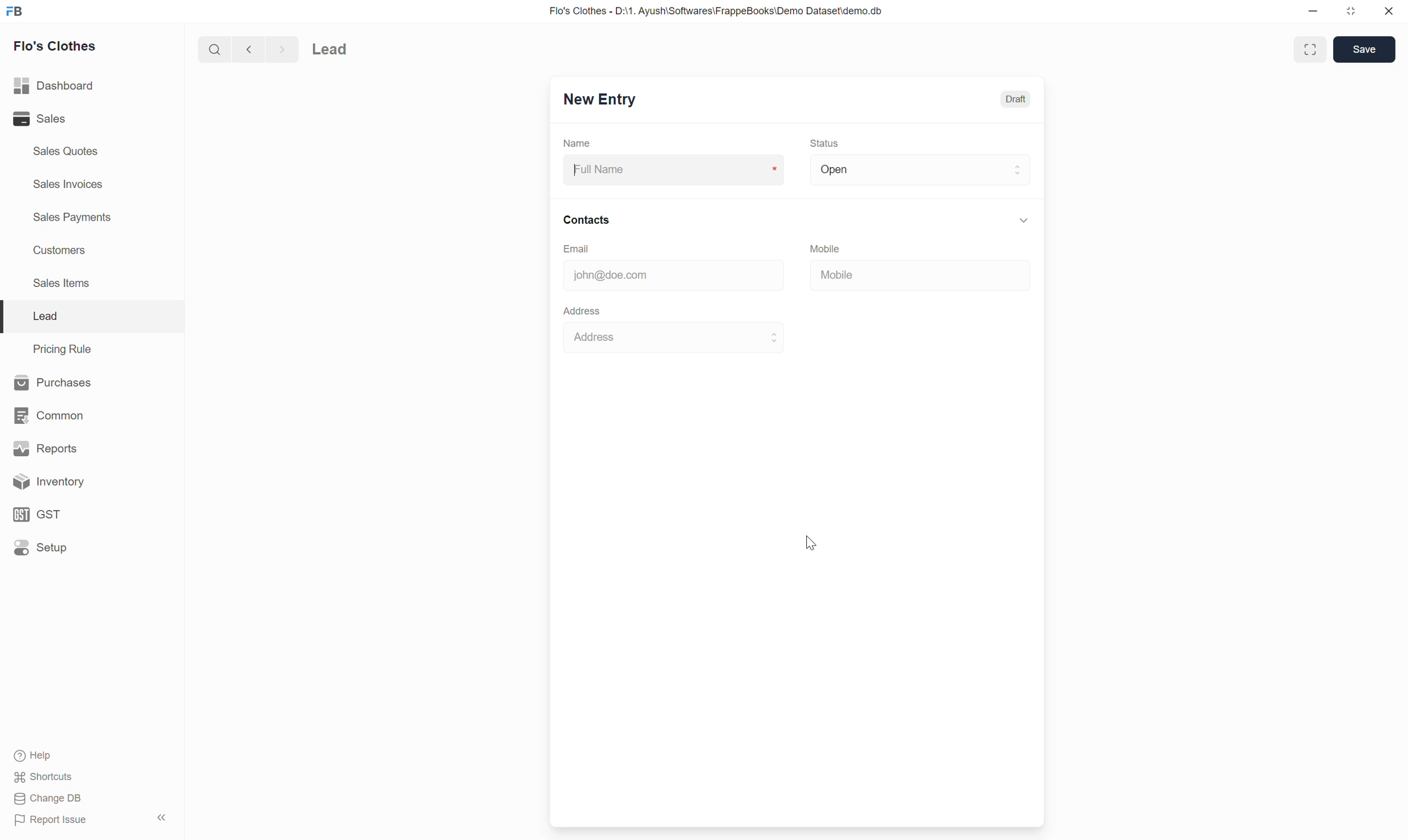 The image size is (1408, 840). I want to click on Name, so click(577, 144).